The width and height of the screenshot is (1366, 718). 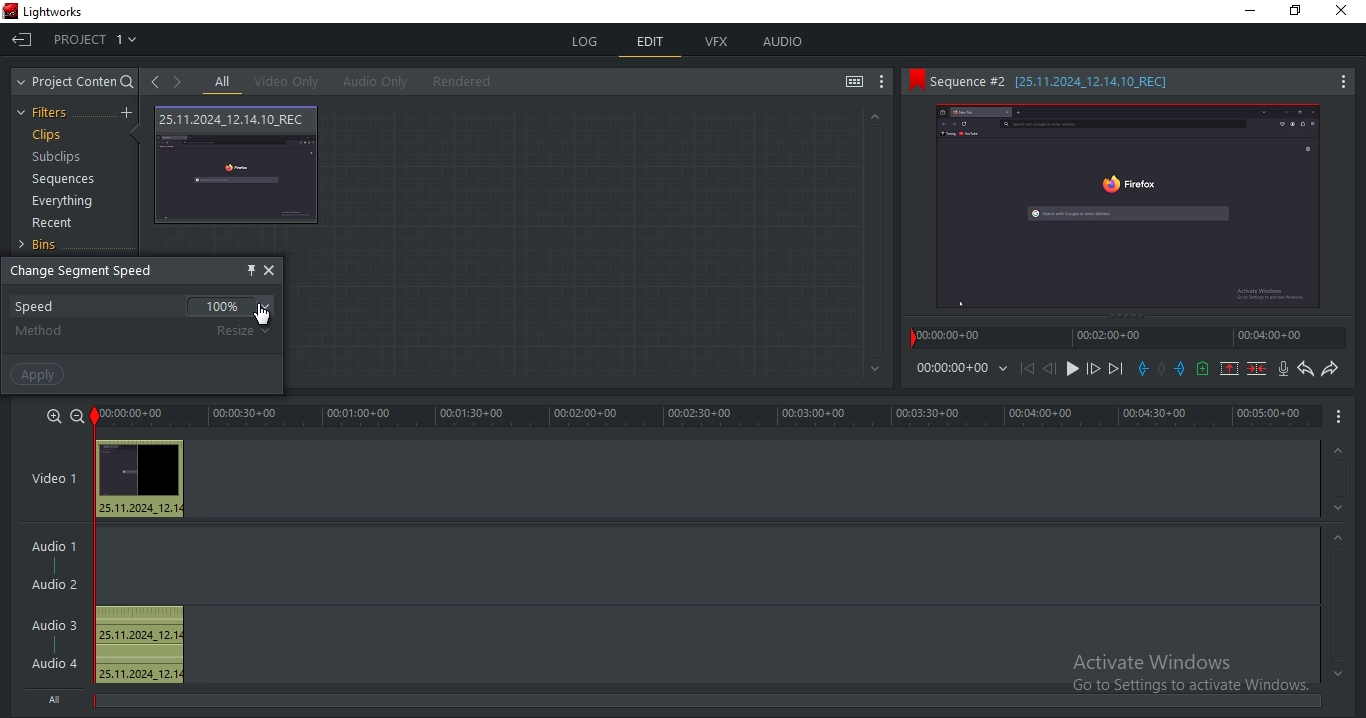 What do you see at coordinates (1300, 12) in the screenshot?
I see `maximize` at bounding box center [1300, 12].